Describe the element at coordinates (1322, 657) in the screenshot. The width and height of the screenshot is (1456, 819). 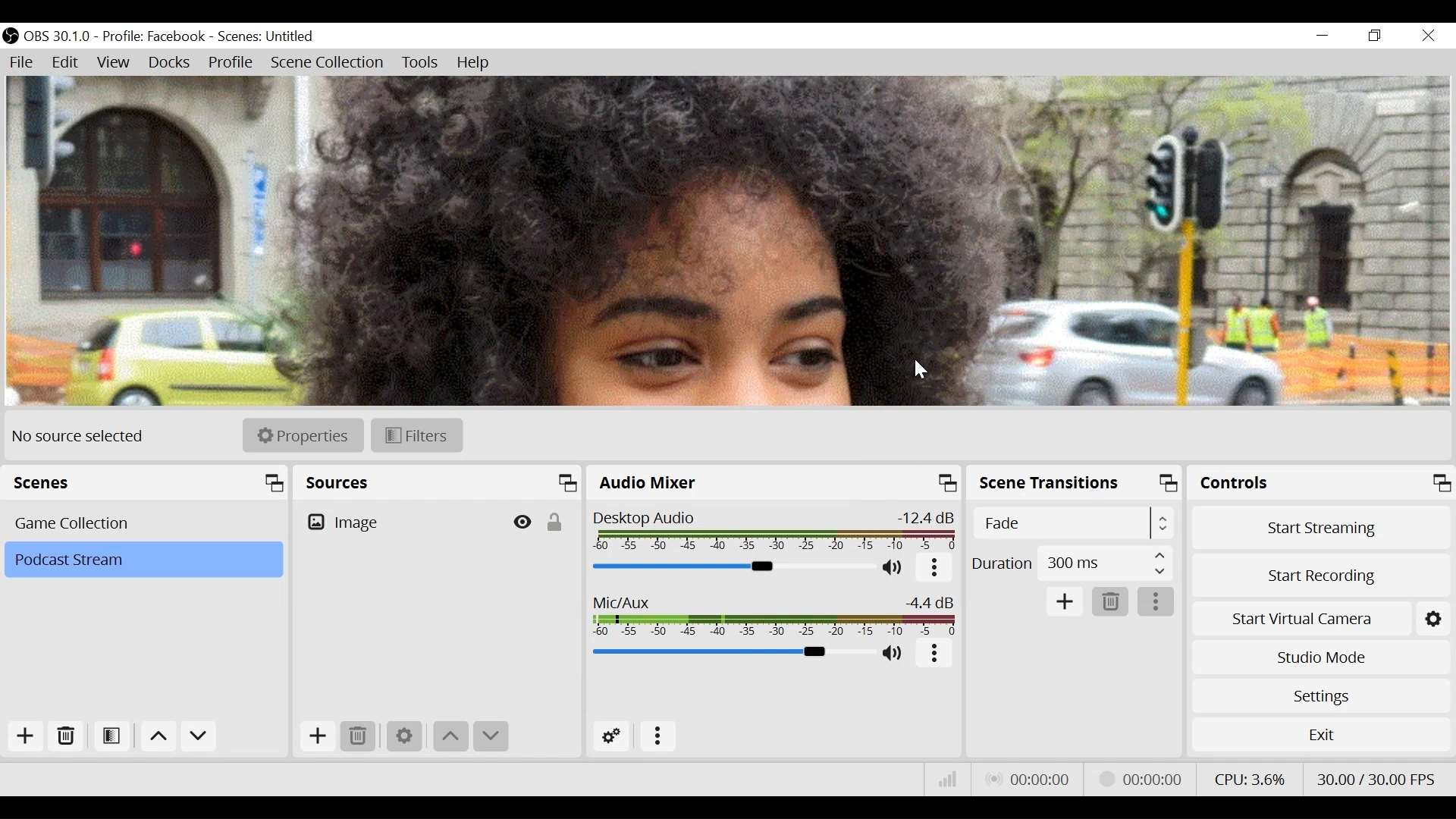
I see `Studio Mode` at that location.